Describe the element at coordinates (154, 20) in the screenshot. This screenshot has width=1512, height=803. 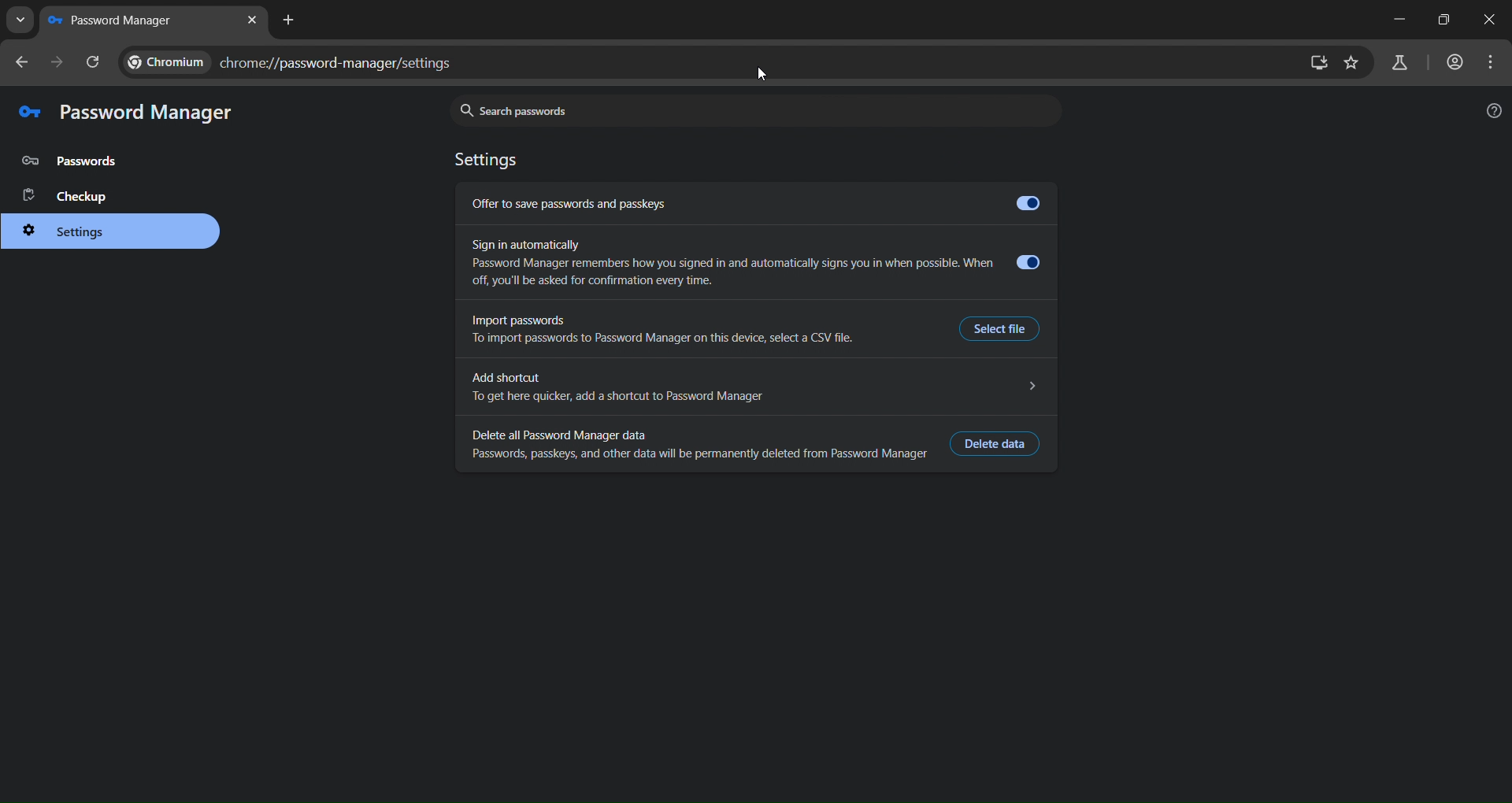
I see `new tab` at that location.